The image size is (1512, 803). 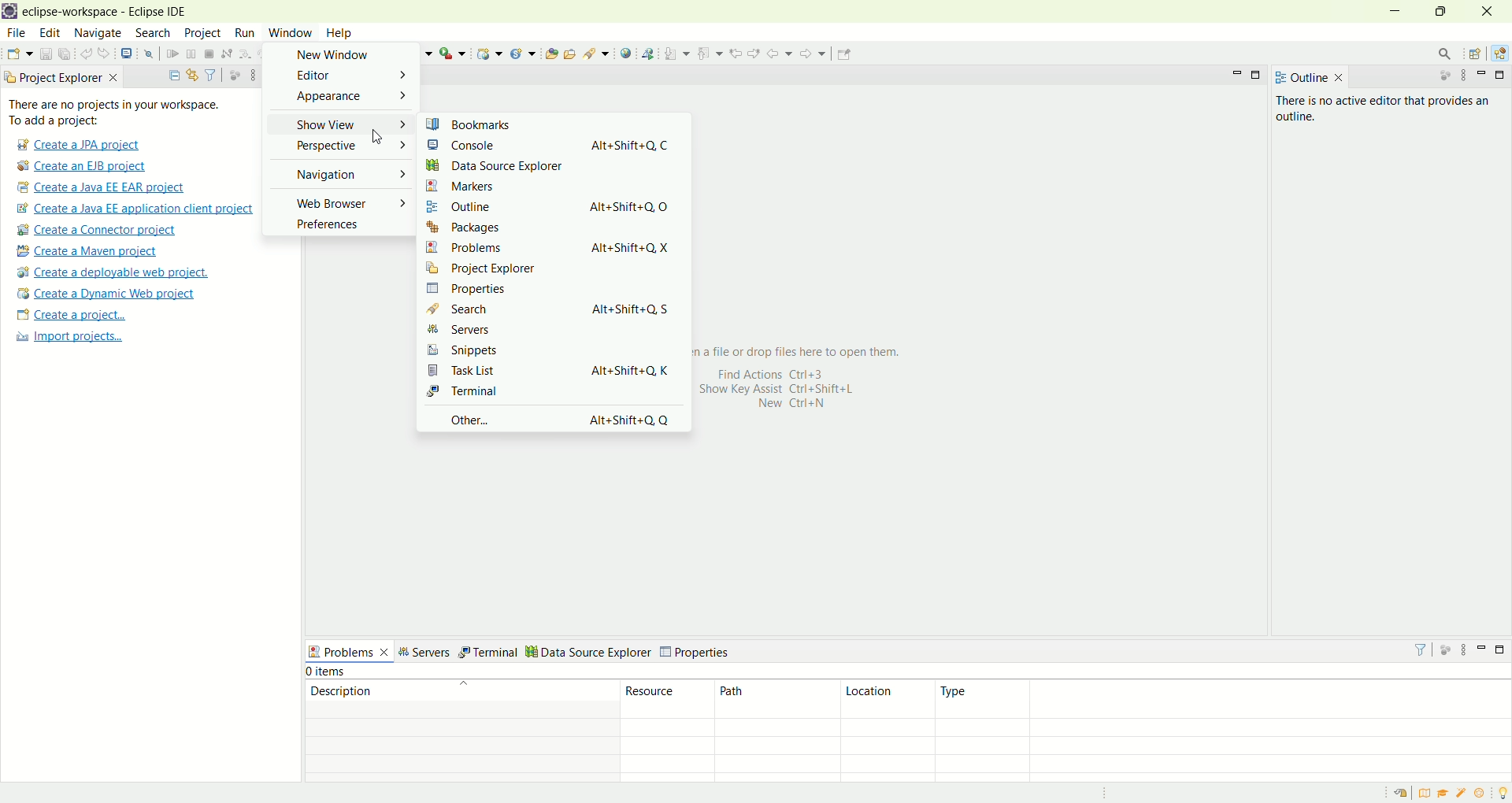 What do you see at coordinates (243, 54) in the screenshot?
I see `step into` at bounding box center [243, 54].